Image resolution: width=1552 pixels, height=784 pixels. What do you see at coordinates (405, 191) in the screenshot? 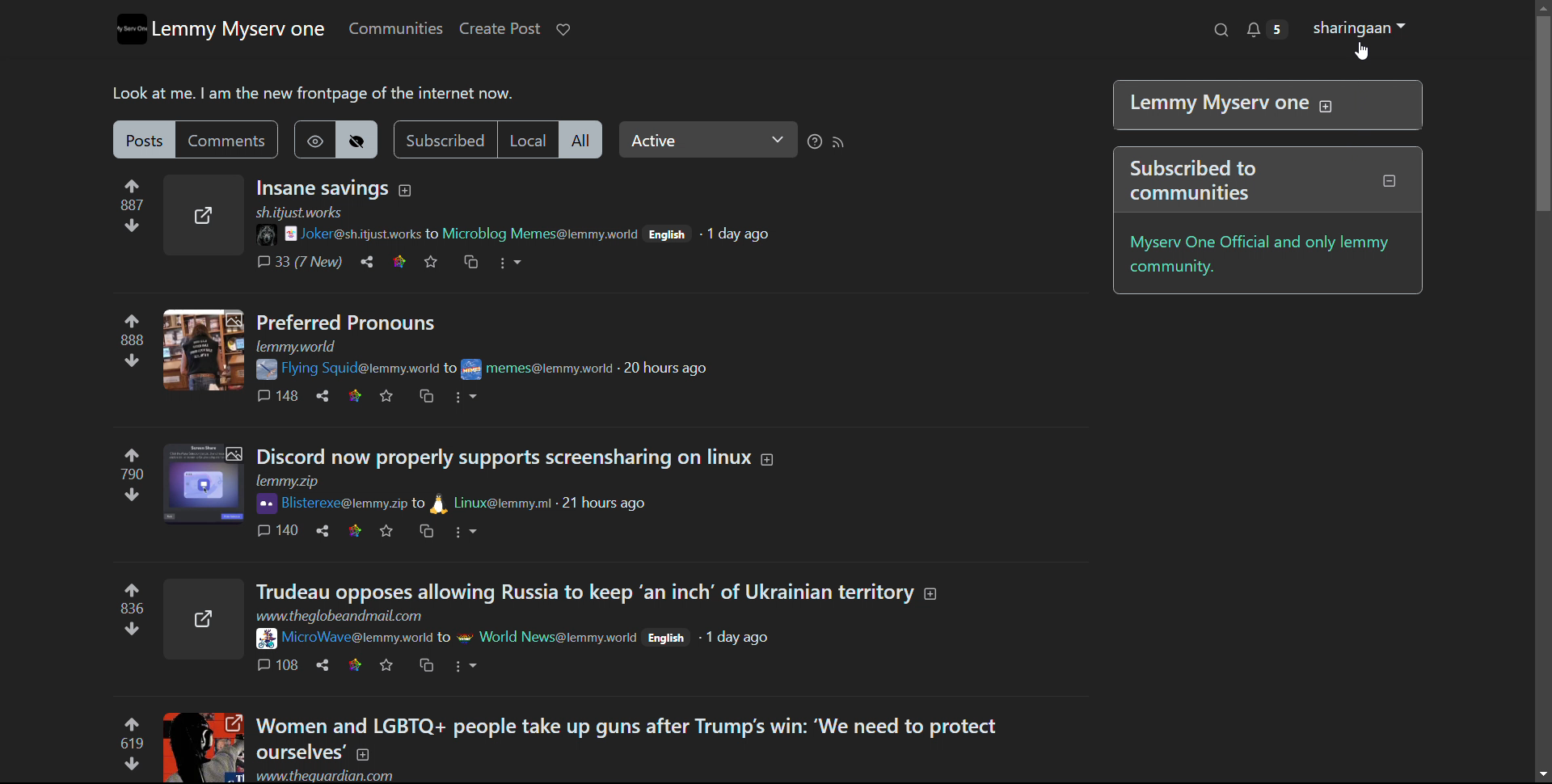
I see `expand` at bounding box center [405, 191].